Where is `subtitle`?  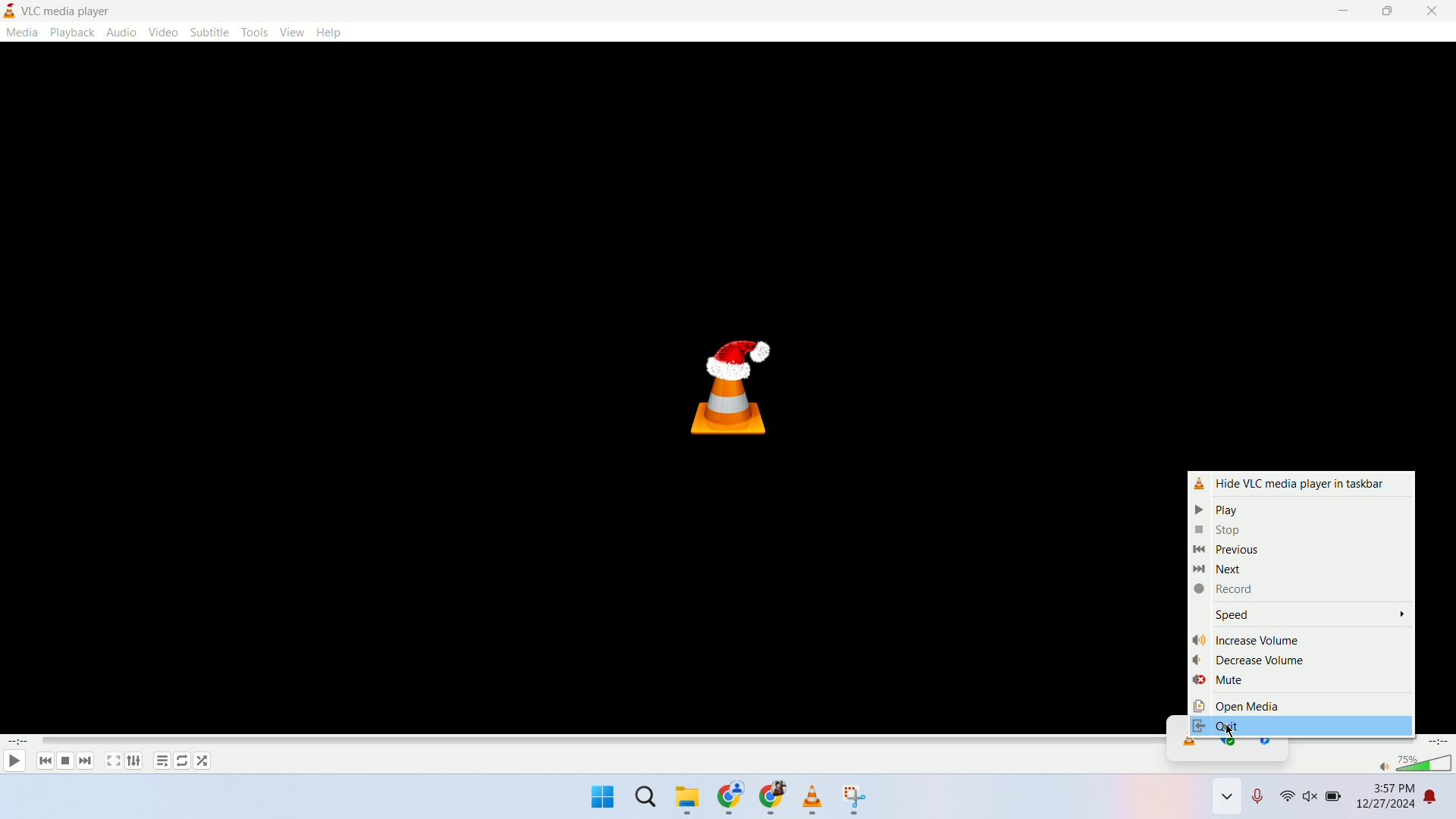 subtitle is located at coordinates (209, 32).